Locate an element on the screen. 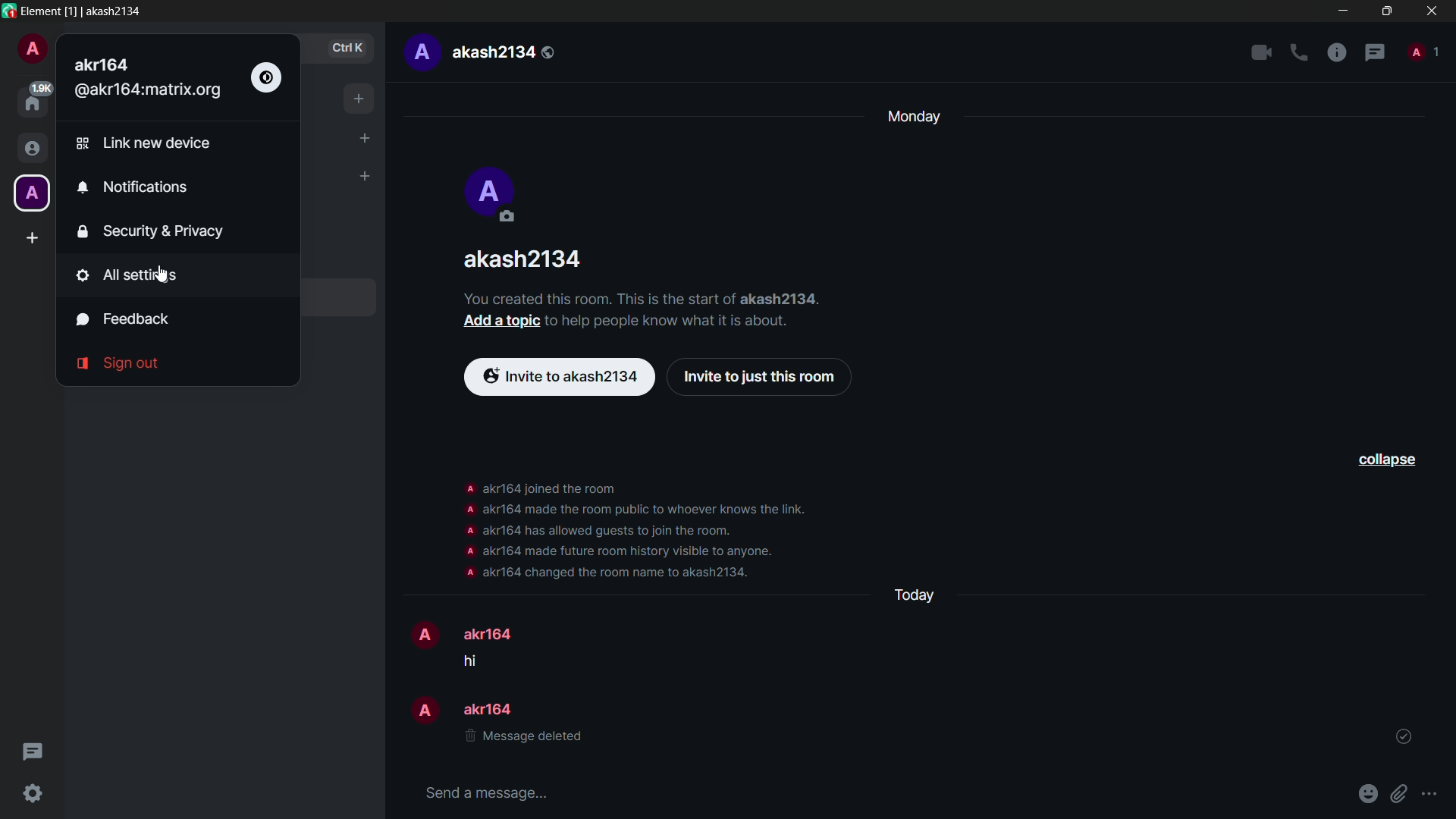 Image resolution: width=1456 pixels, height=819 pixels. profile is located at coordinates (469, 509).